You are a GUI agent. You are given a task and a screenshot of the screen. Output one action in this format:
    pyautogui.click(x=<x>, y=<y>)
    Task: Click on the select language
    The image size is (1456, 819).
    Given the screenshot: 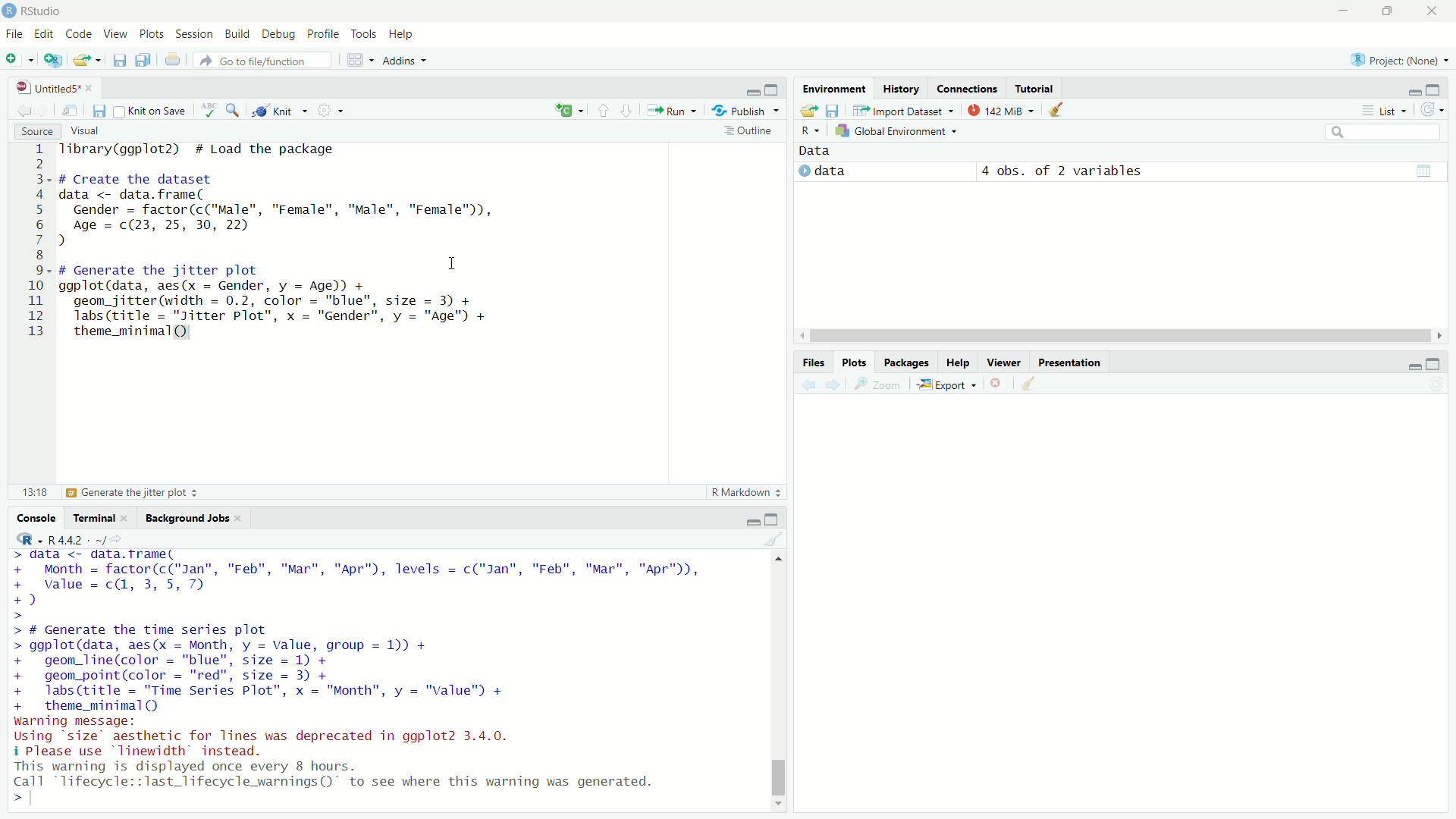 What is the action you would take?
    pyautogui.click(x=22, y=539)
    